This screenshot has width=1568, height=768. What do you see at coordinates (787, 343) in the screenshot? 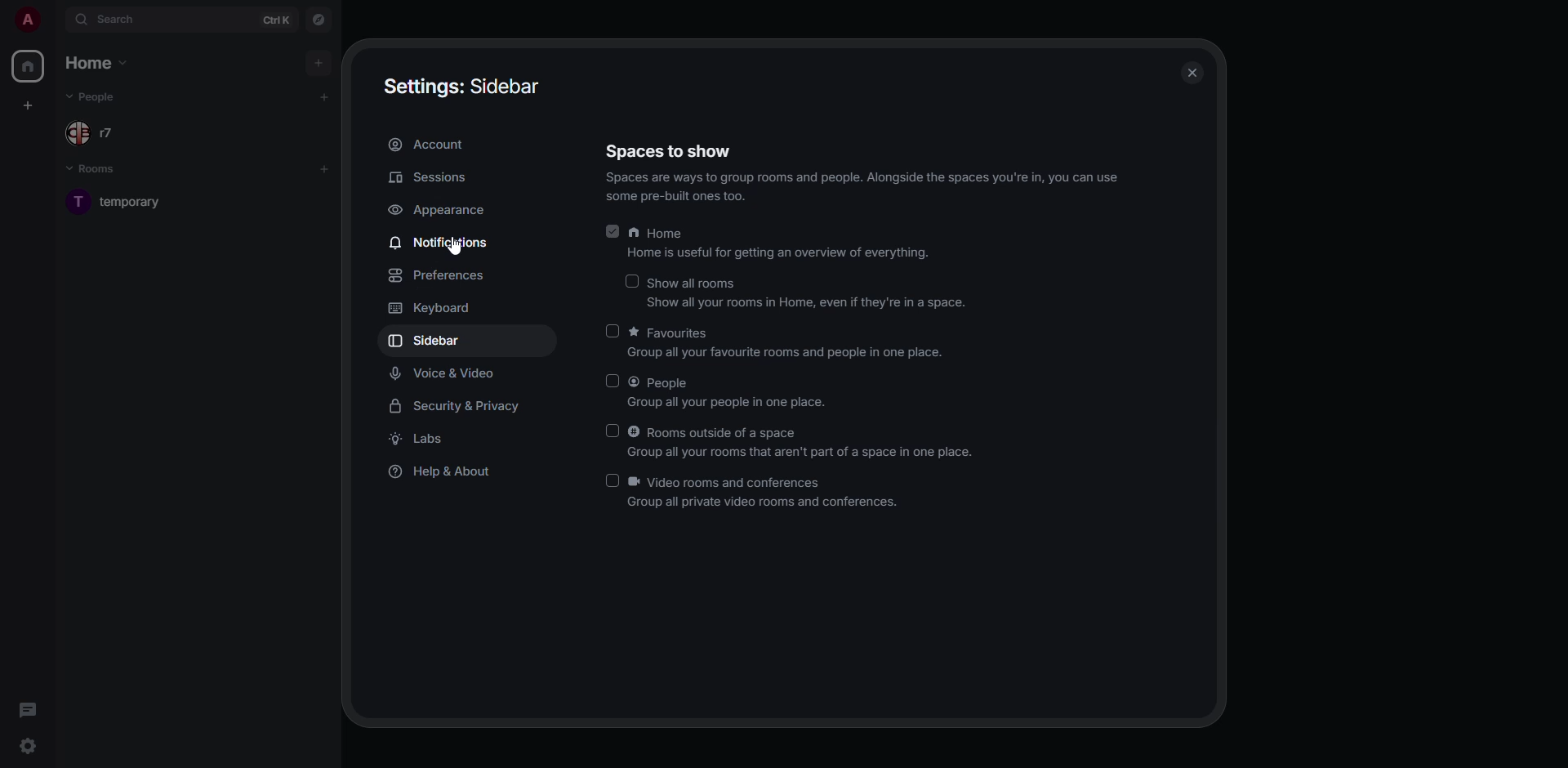
I see `favorites` at bounding box center [787, 343].